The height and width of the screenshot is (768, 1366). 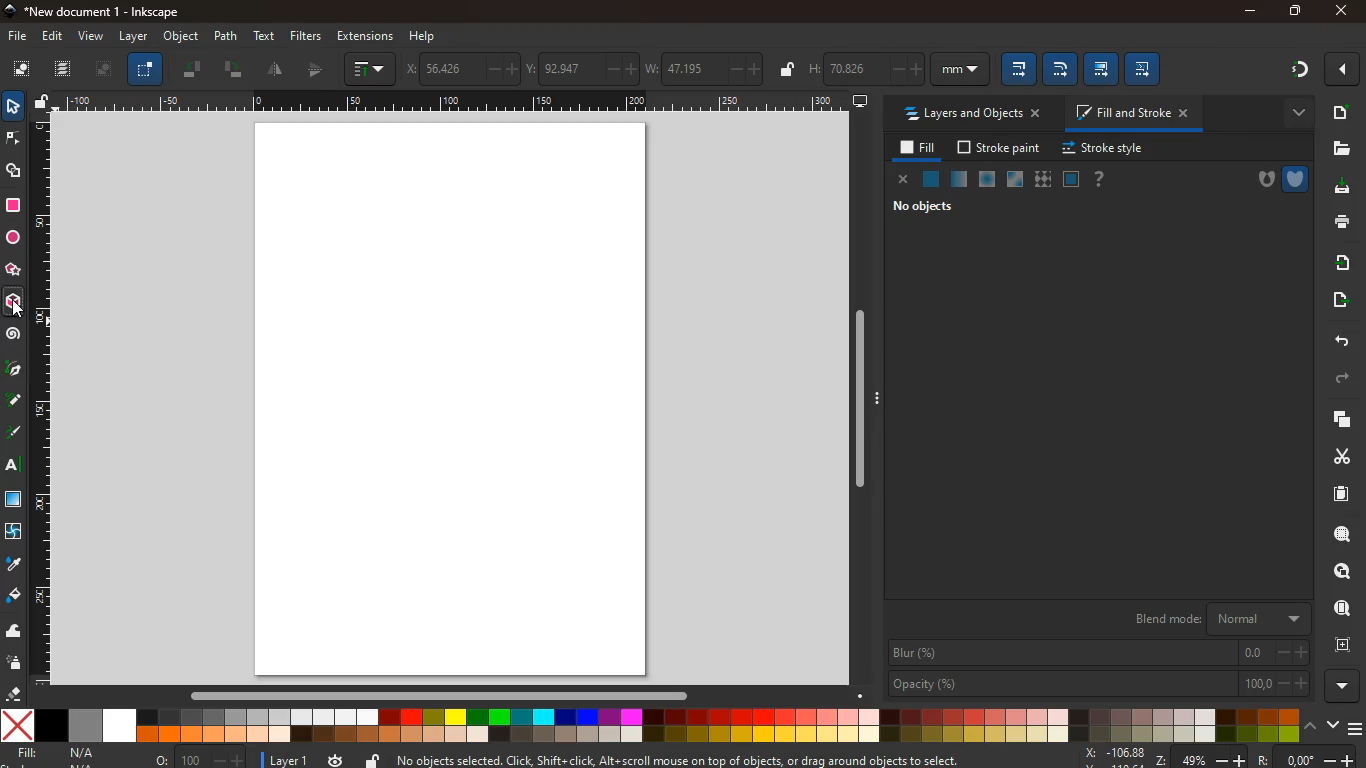 I want to click on edge, so click(x=12, y=140).